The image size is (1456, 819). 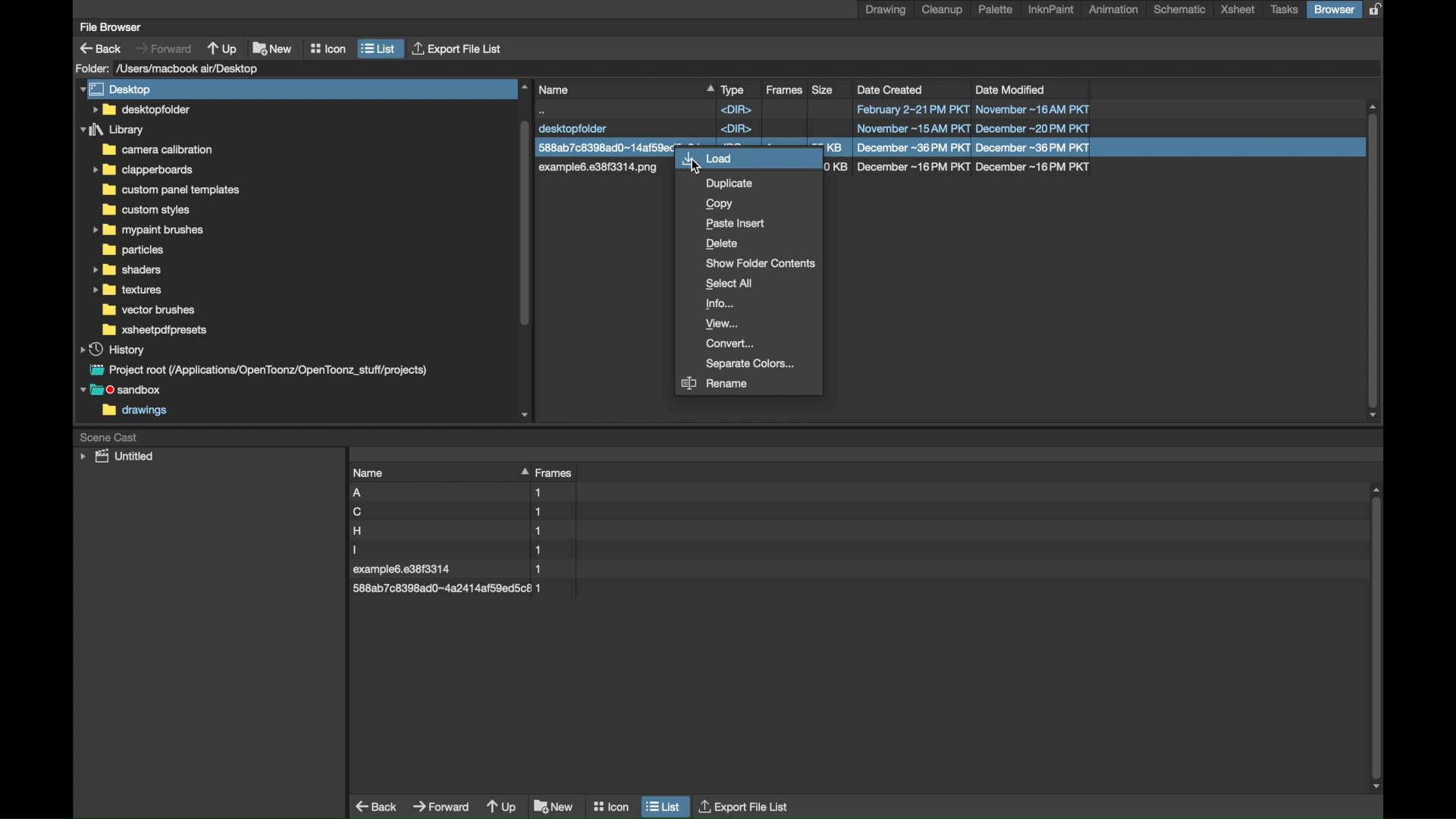 What do you see at coordinates (522, 470) in the screenshot?
I see `drag handle` at bounding box center [522, 470].